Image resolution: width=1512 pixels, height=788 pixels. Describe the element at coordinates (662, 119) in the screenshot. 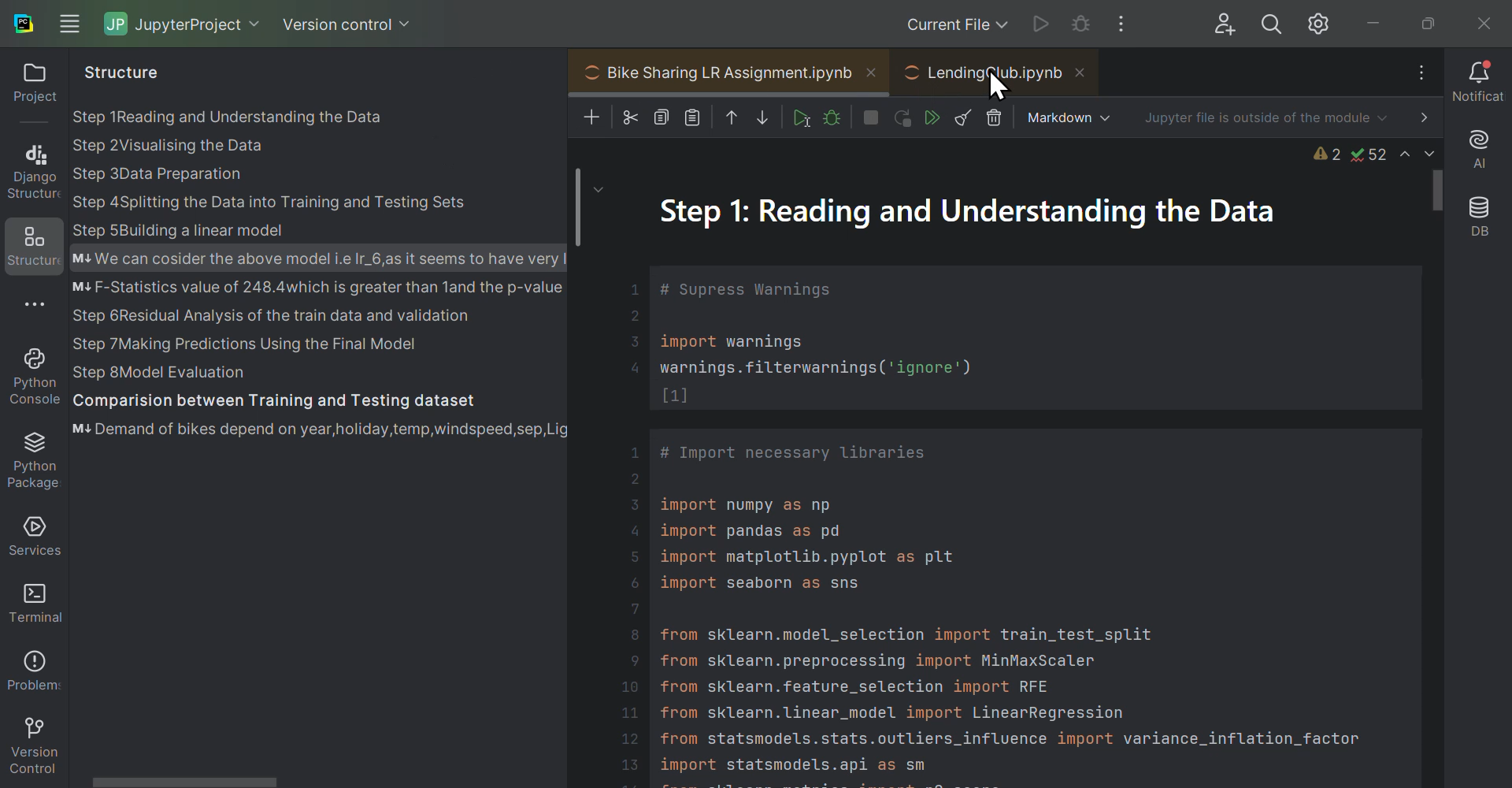

I see `Copy` at that location.